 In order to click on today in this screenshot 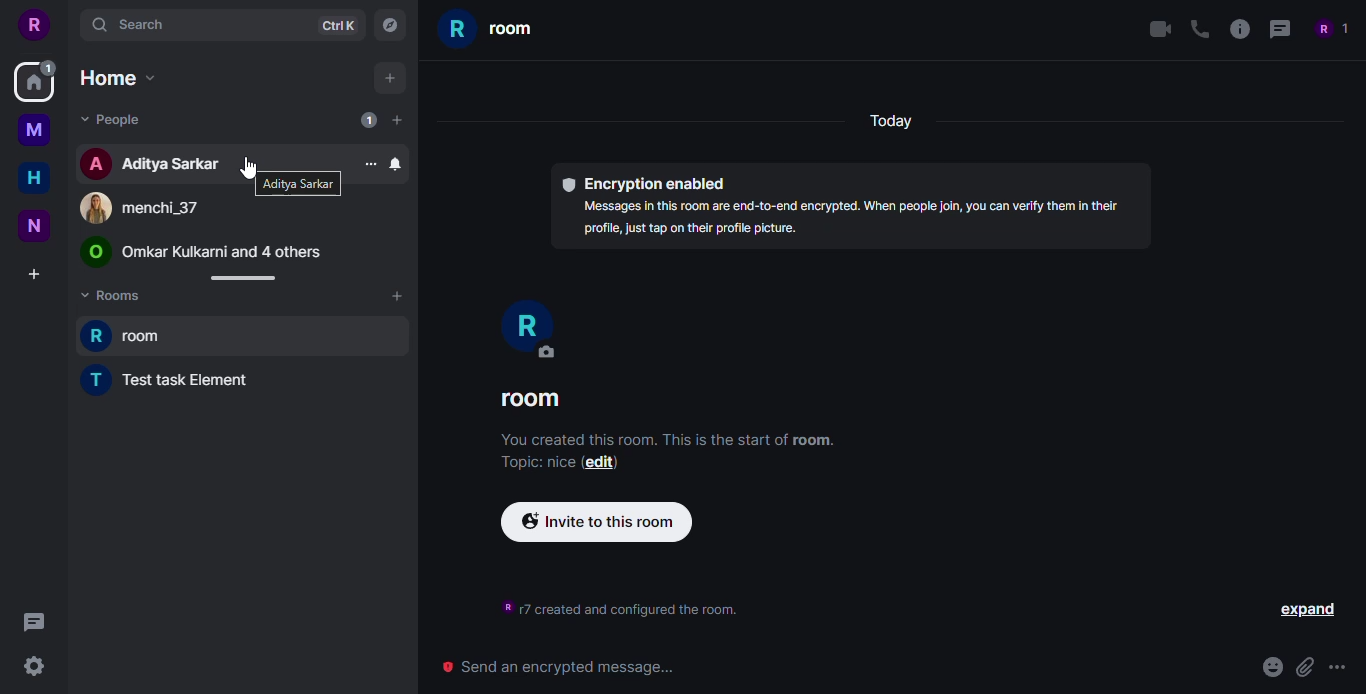, I will do `click(888, 123)`.